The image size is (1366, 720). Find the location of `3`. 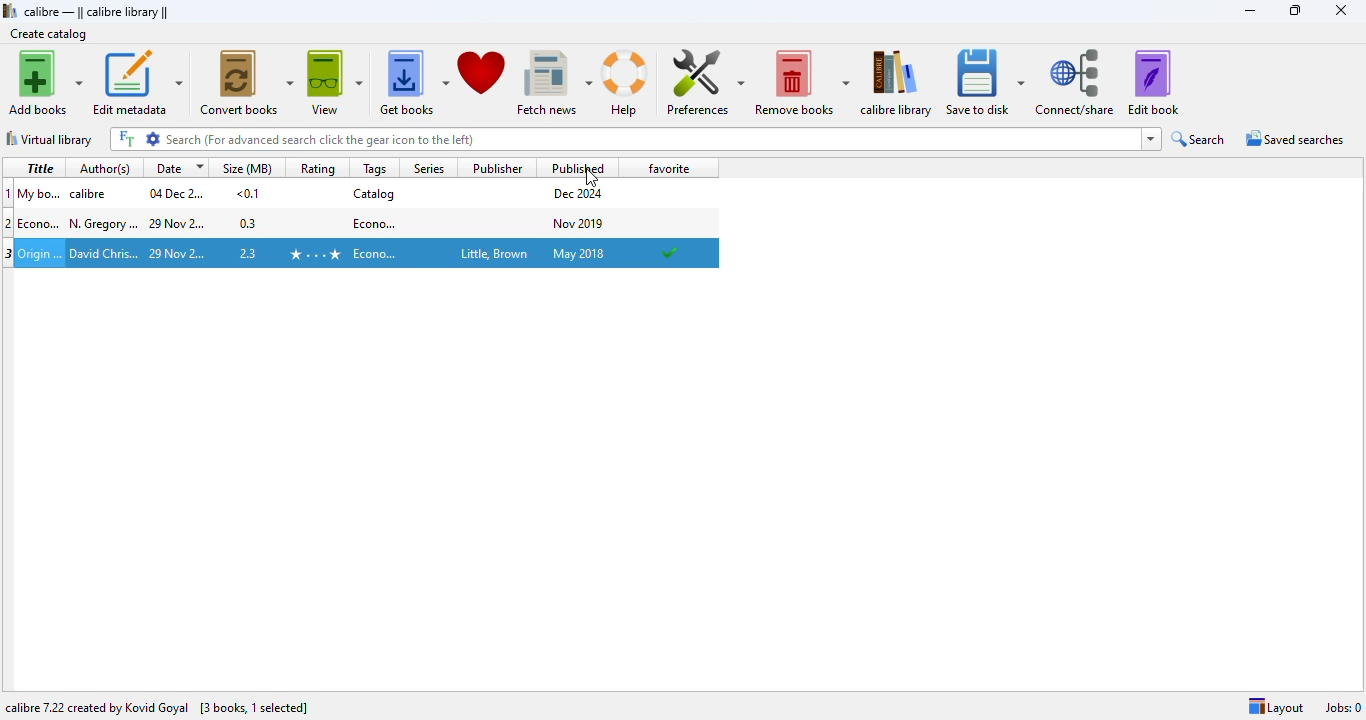

3 is located at coordinates (9, 254).